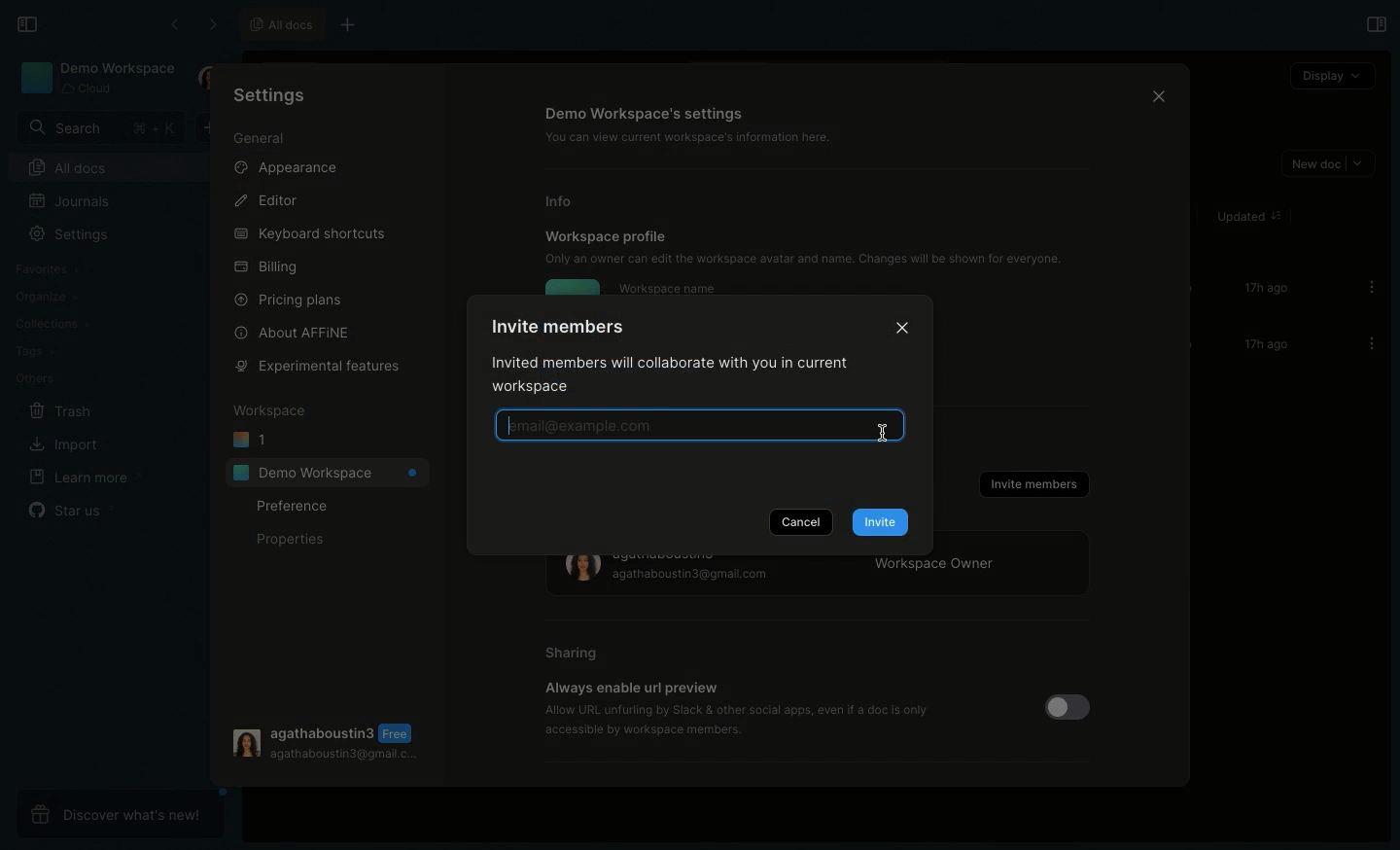  Describe the element at coordinates (264, 199) in the screenshot. I see `Editor` at that location.